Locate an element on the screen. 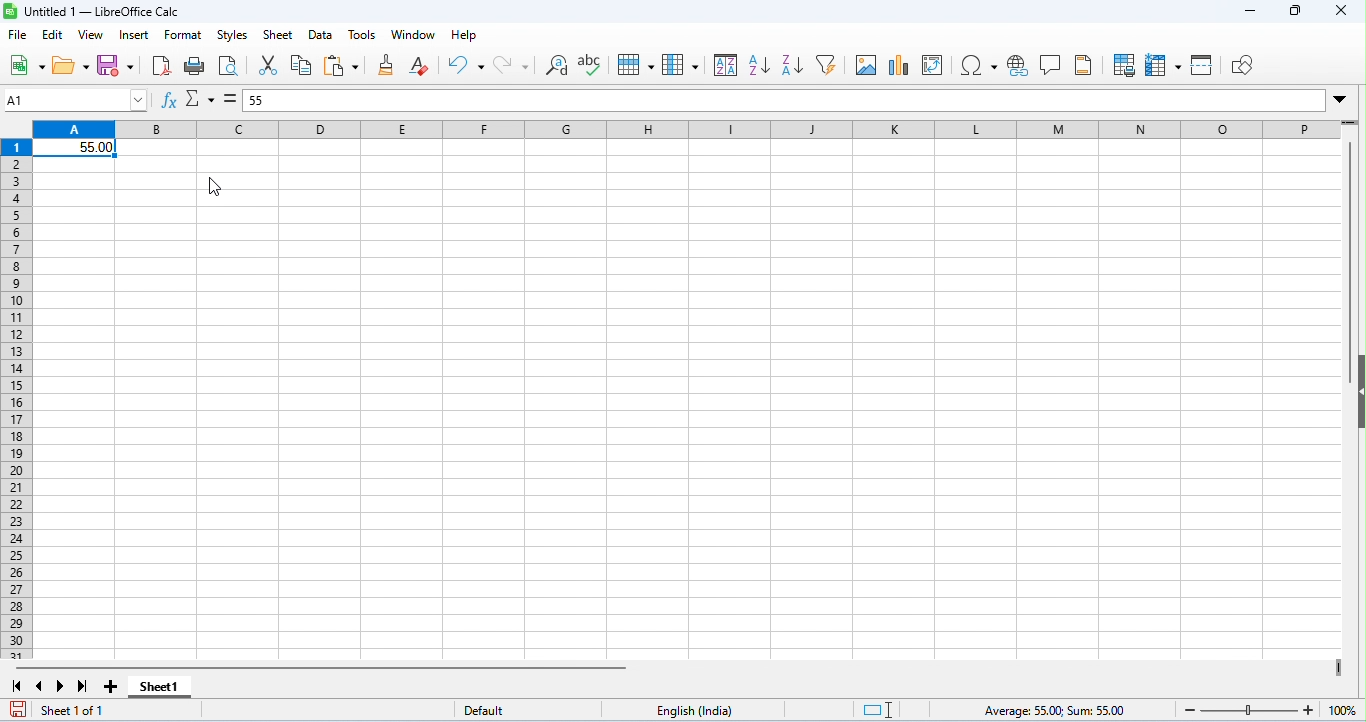 The width and height of the screenshot is (1366, 722). next sheet is located at coordinates (60, 686).